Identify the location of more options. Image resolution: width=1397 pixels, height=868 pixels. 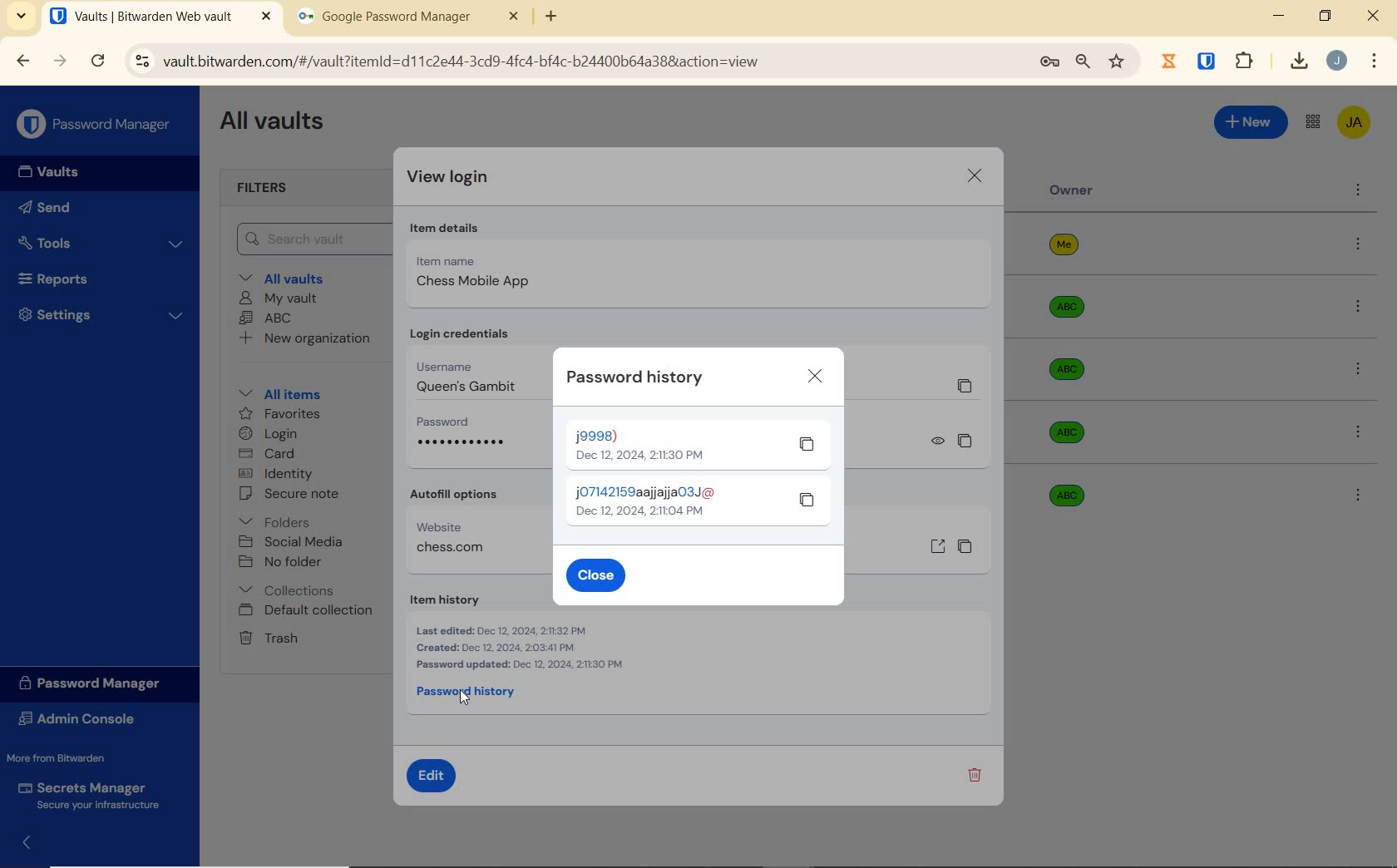
(1358, 494).